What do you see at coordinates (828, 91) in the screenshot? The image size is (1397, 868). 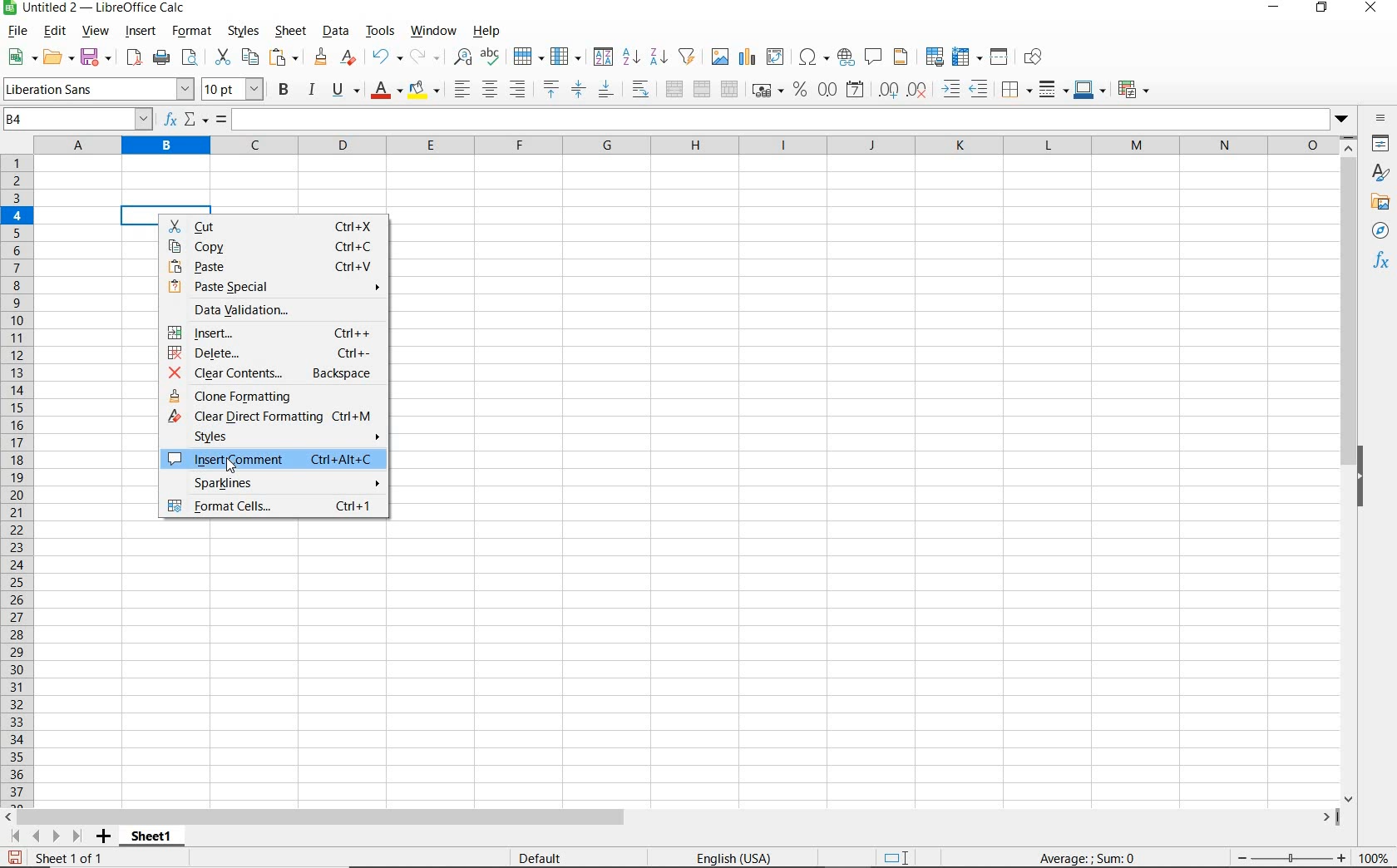 I see `format as number` at bounding box center [828, 91].